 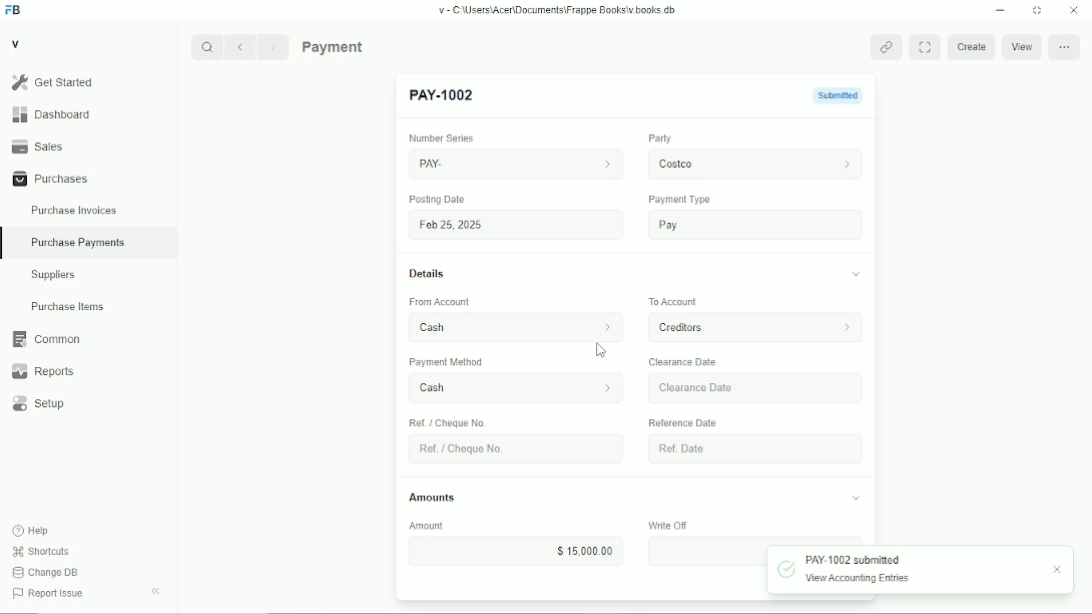 What do you see at coordinates (738, 447) in the screenshot?
I see `Ref Date.` at bounding box center [738, 447].